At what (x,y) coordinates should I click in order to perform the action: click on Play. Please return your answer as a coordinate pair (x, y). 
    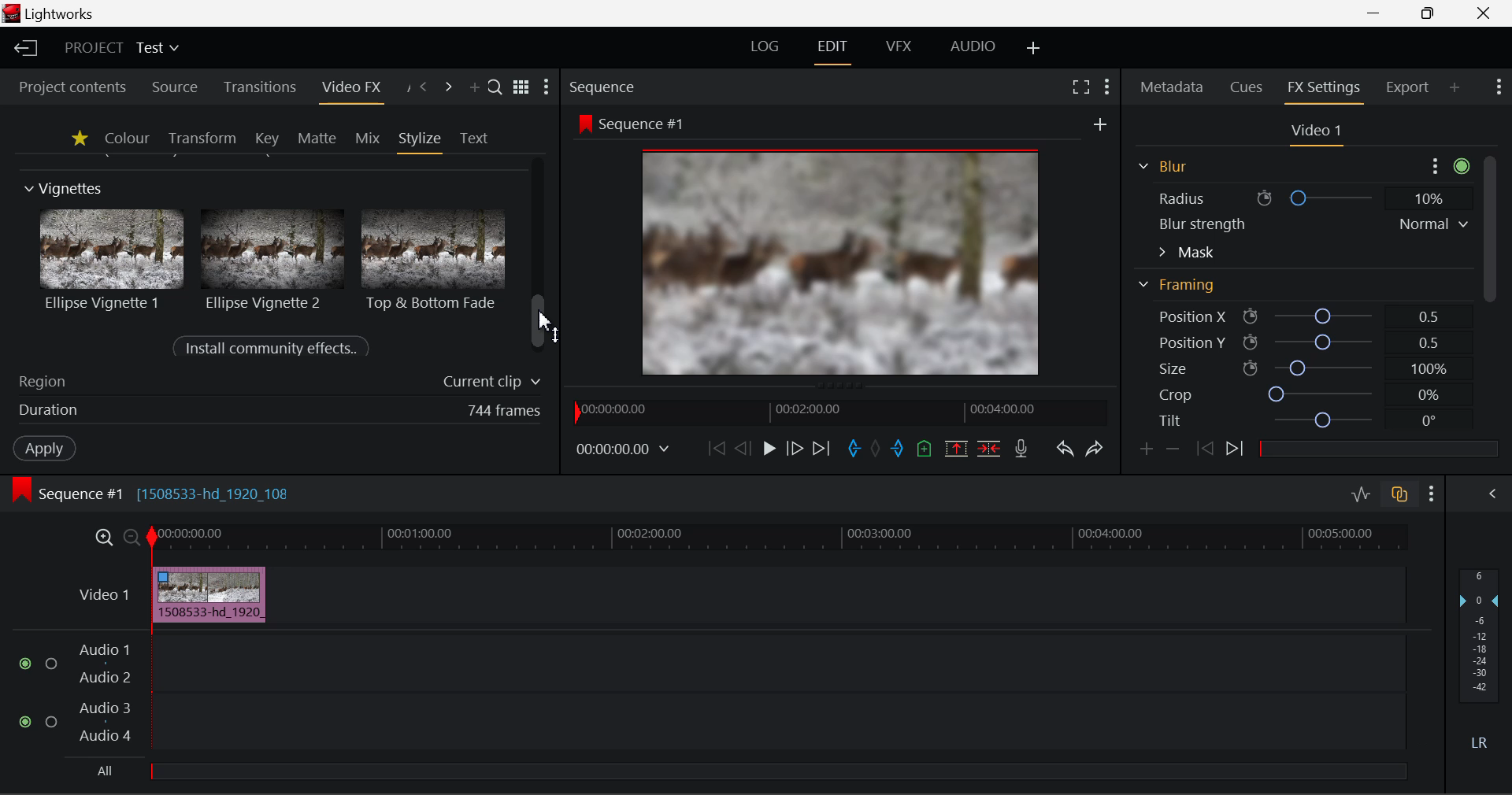
    Looking at the image, I should click on (767, 449).